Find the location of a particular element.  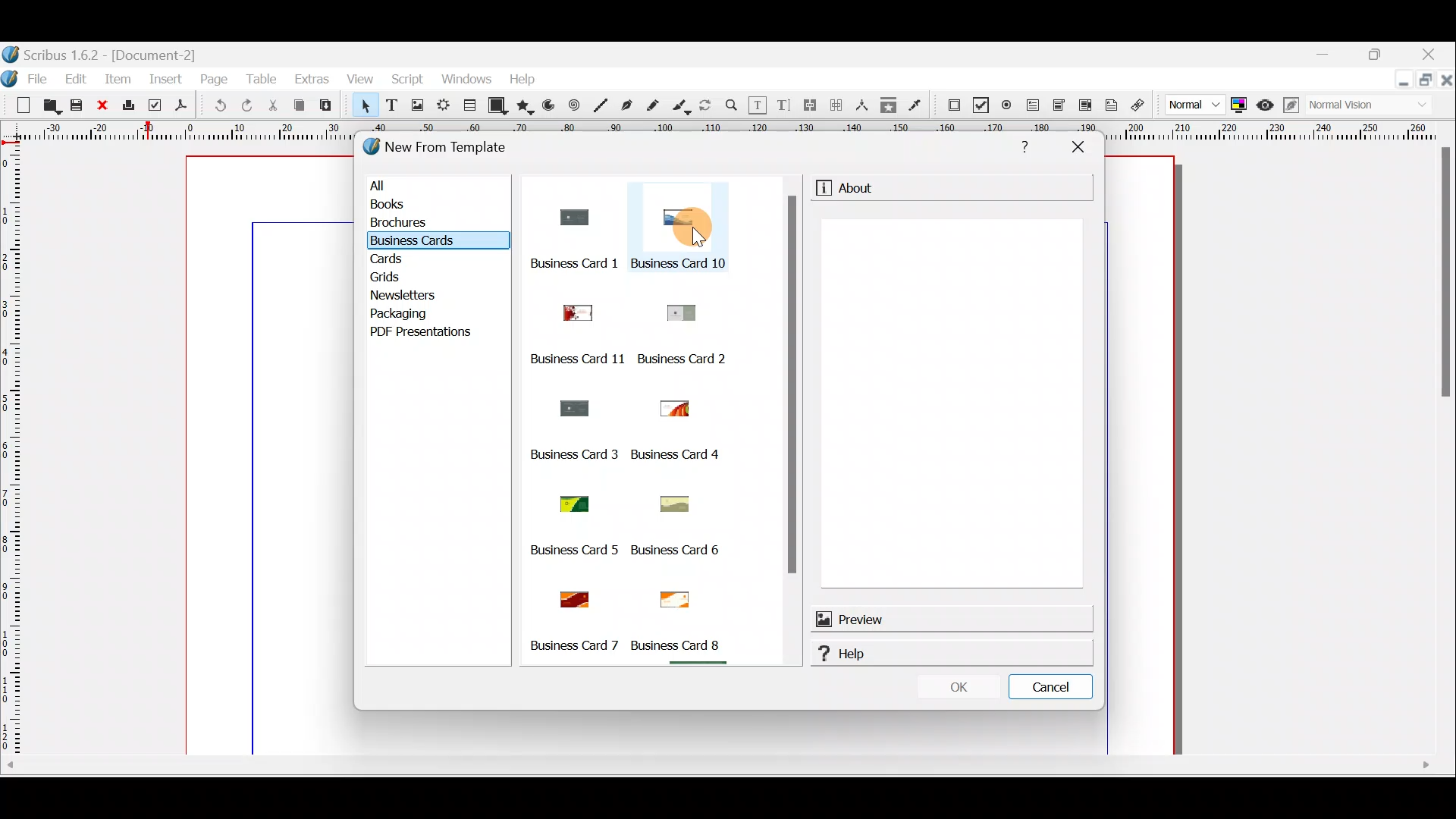

New is located at coordinates (18, 106).